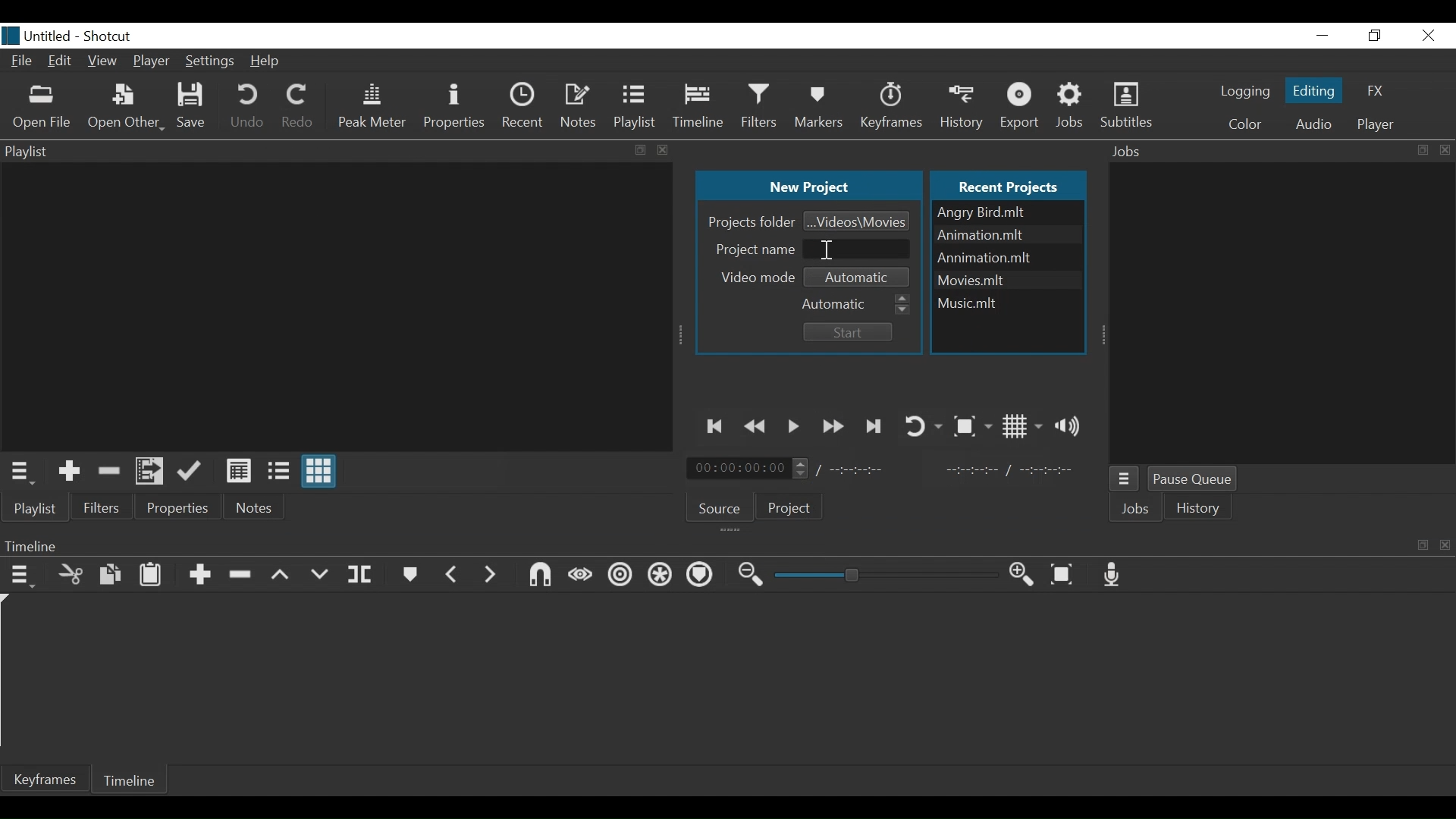 This screenshot has height=819, width=1456. Describe the element at coordinates (827, 249) in the screenshot. I see `Insertion cursor` at that location.